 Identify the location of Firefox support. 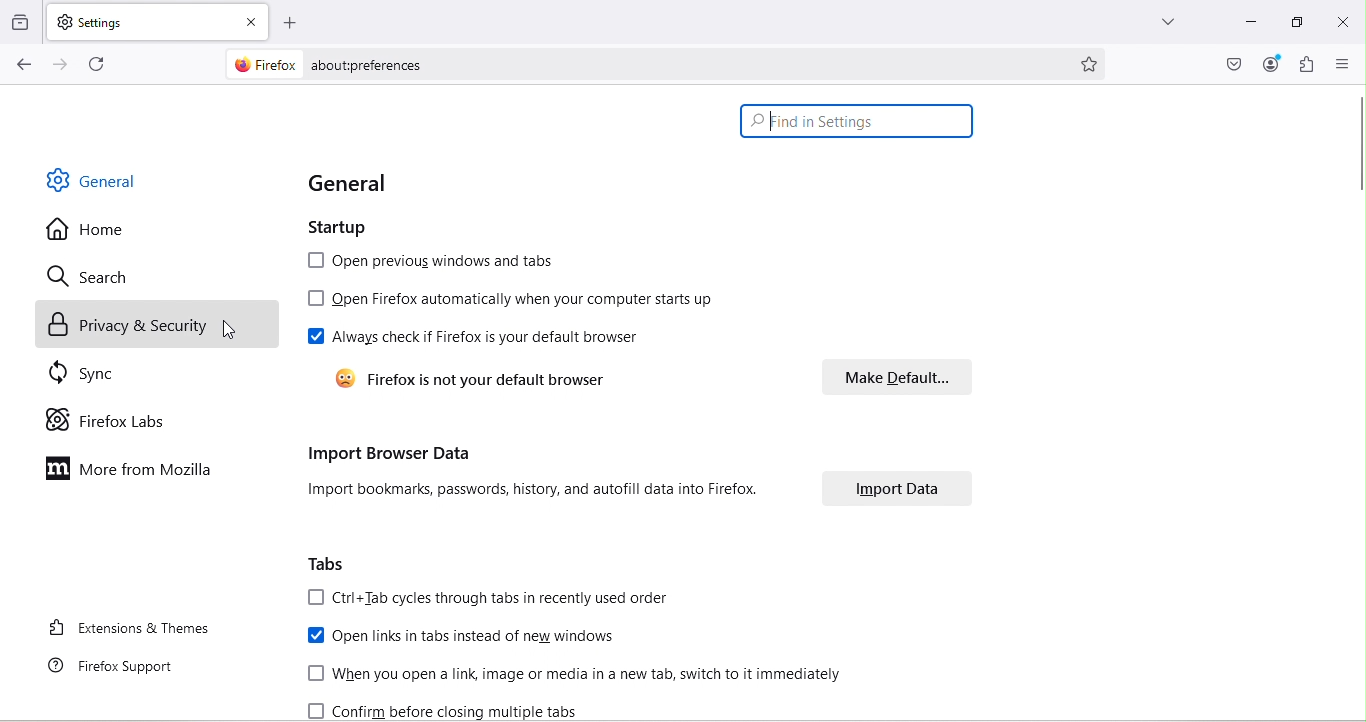
(119, 667).